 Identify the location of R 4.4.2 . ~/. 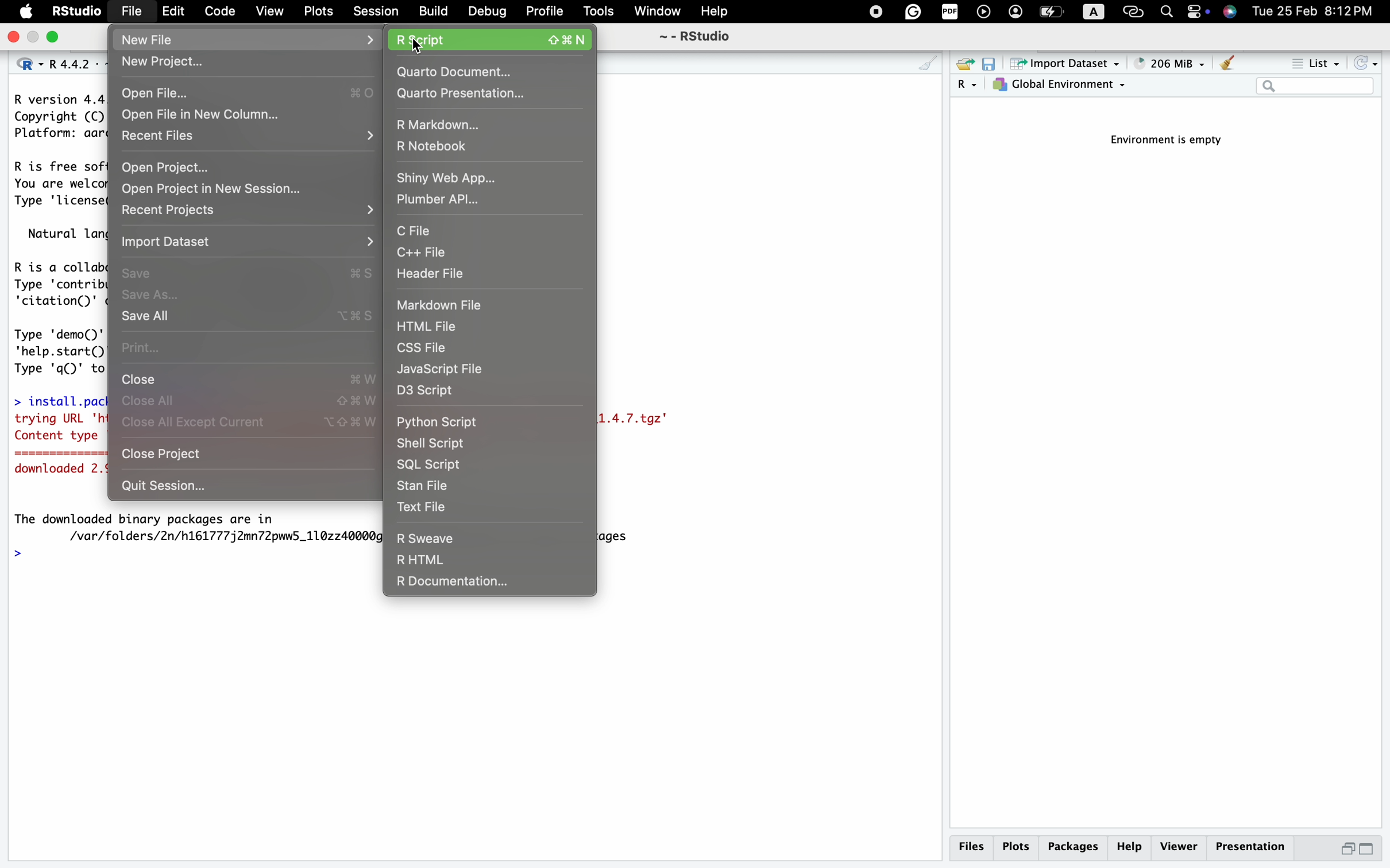
(72, 63).